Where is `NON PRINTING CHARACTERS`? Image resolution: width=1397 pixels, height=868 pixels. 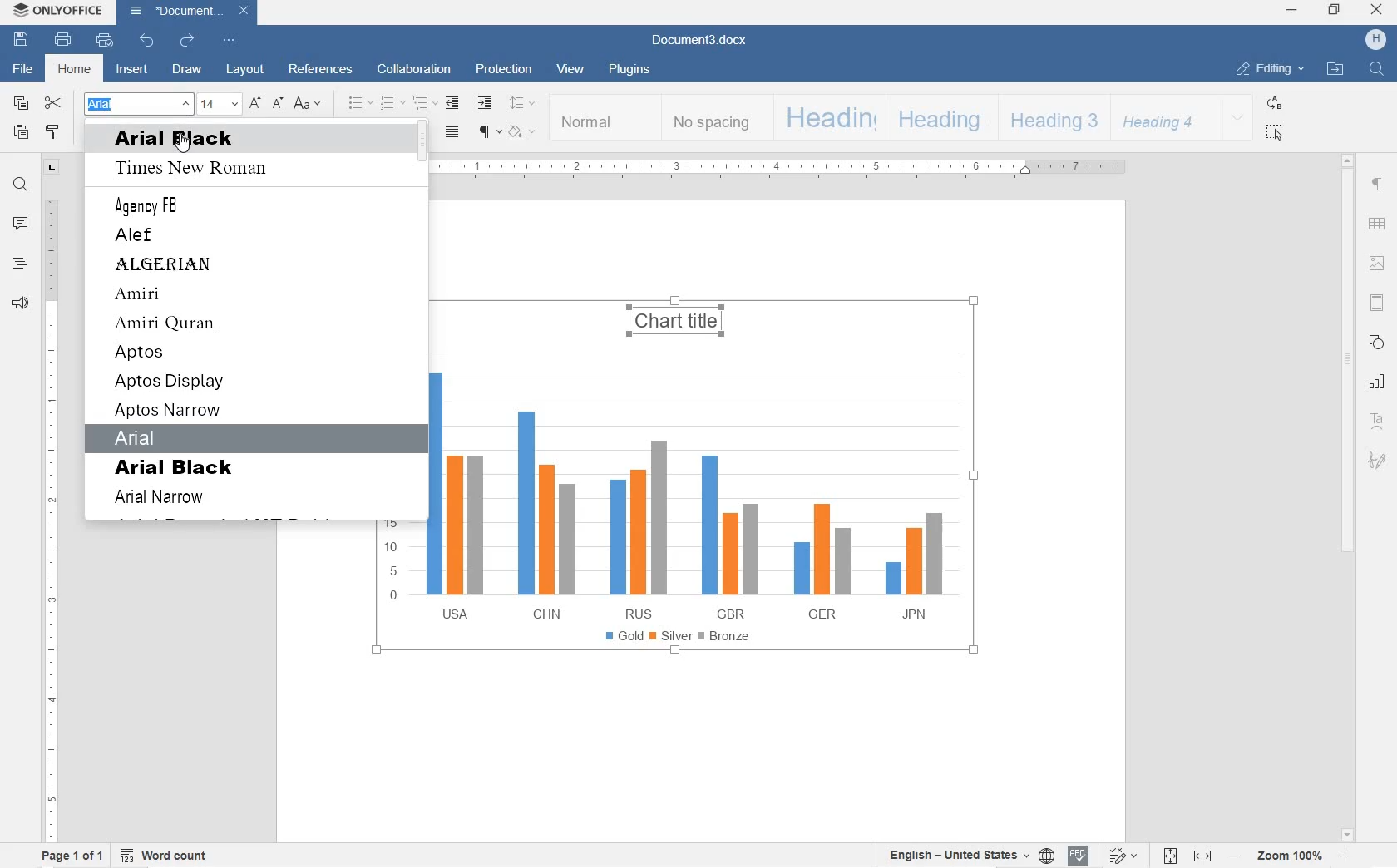 NON PRINTING CHARACTERS is located at coordinates (489, 133).